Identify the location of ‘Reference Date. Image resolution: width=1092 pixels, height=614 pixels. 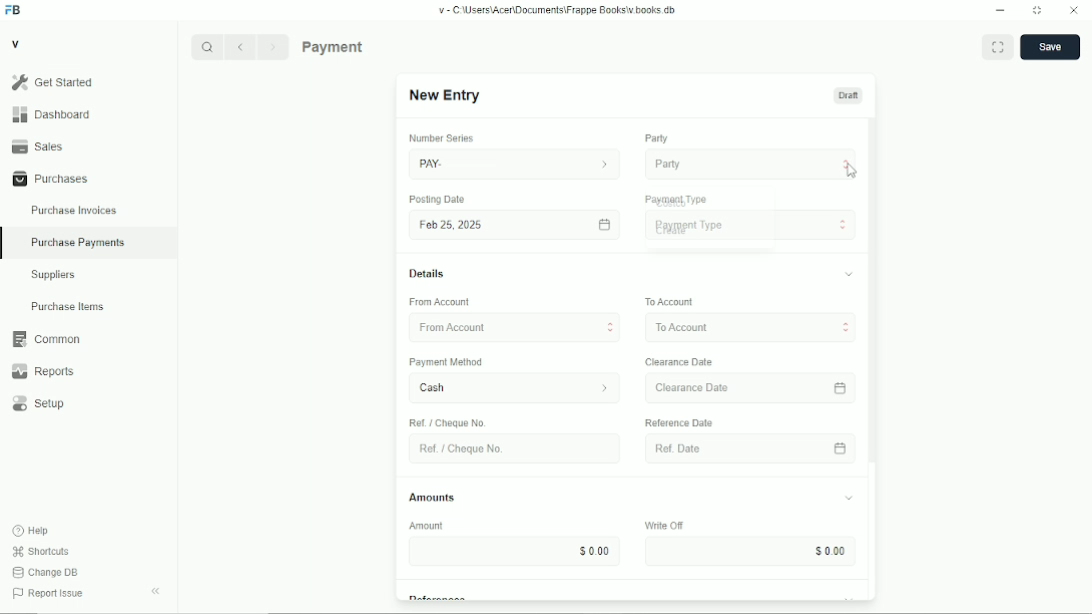
(682, 422).